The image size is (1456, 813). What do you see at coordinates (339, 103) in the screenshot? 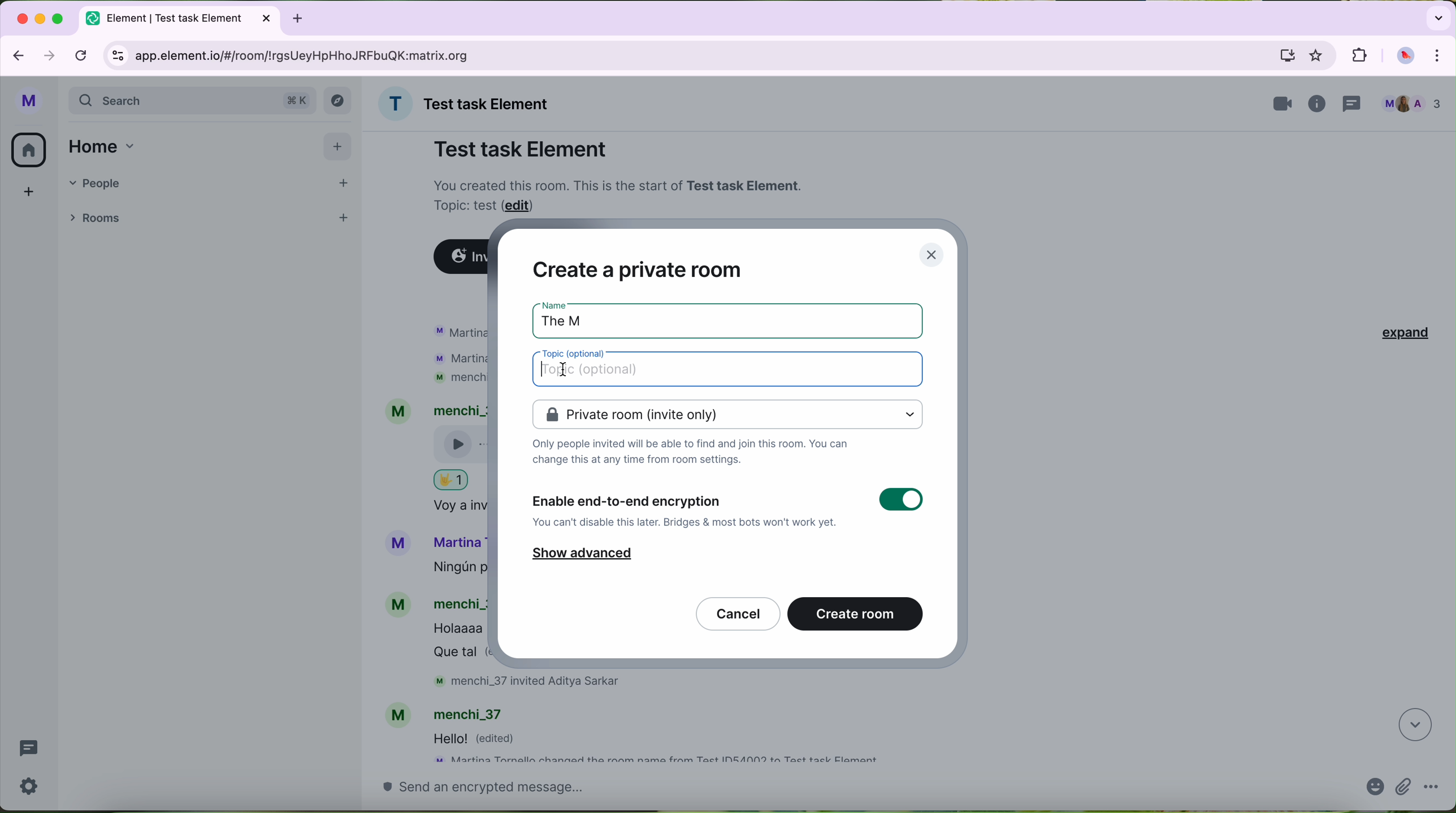
I see `explore button` at bounding box center [339, 103].